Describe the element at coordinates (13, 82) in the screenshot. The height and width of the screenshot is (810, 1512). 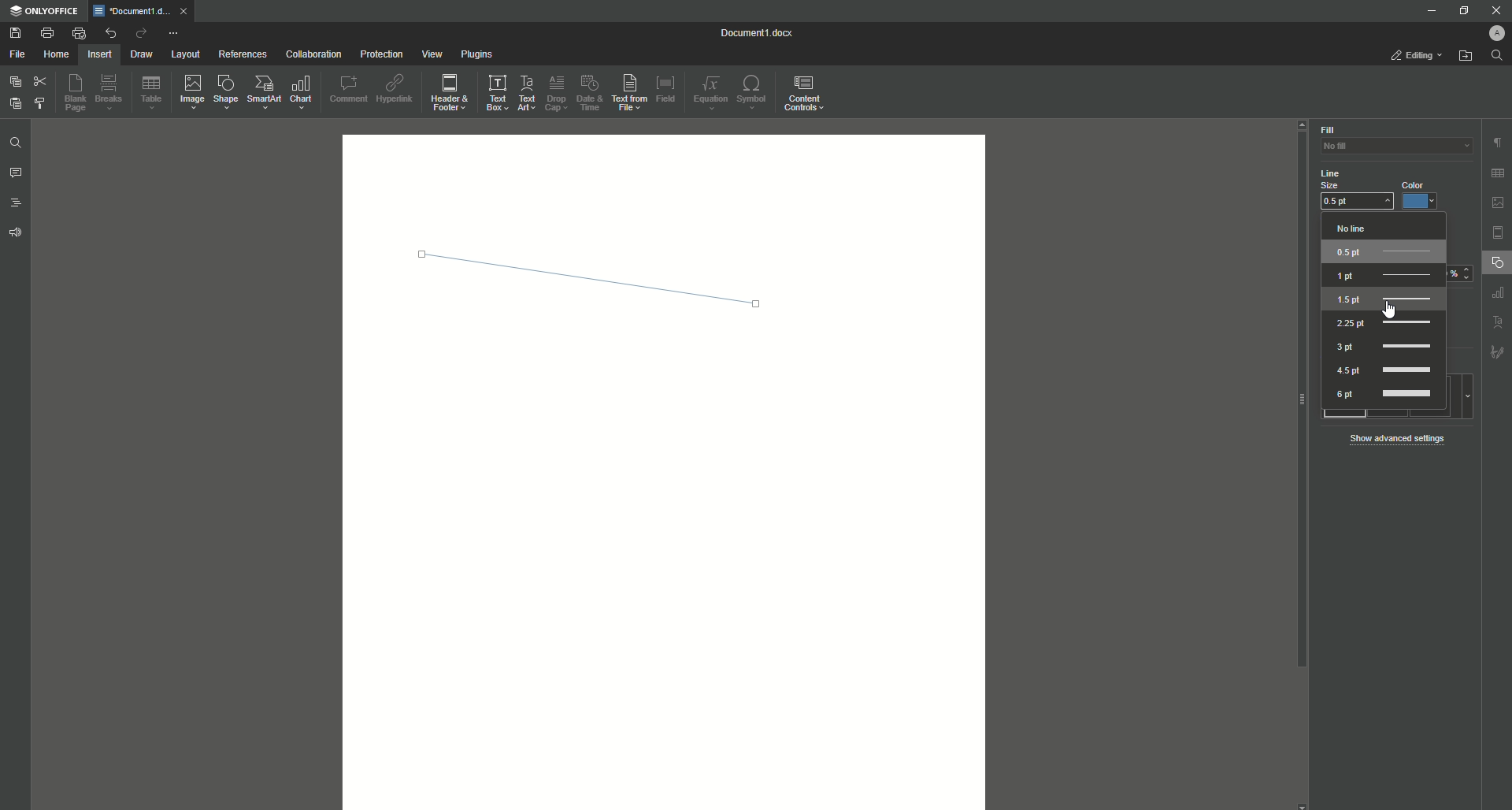
I see `Copy` at that location.